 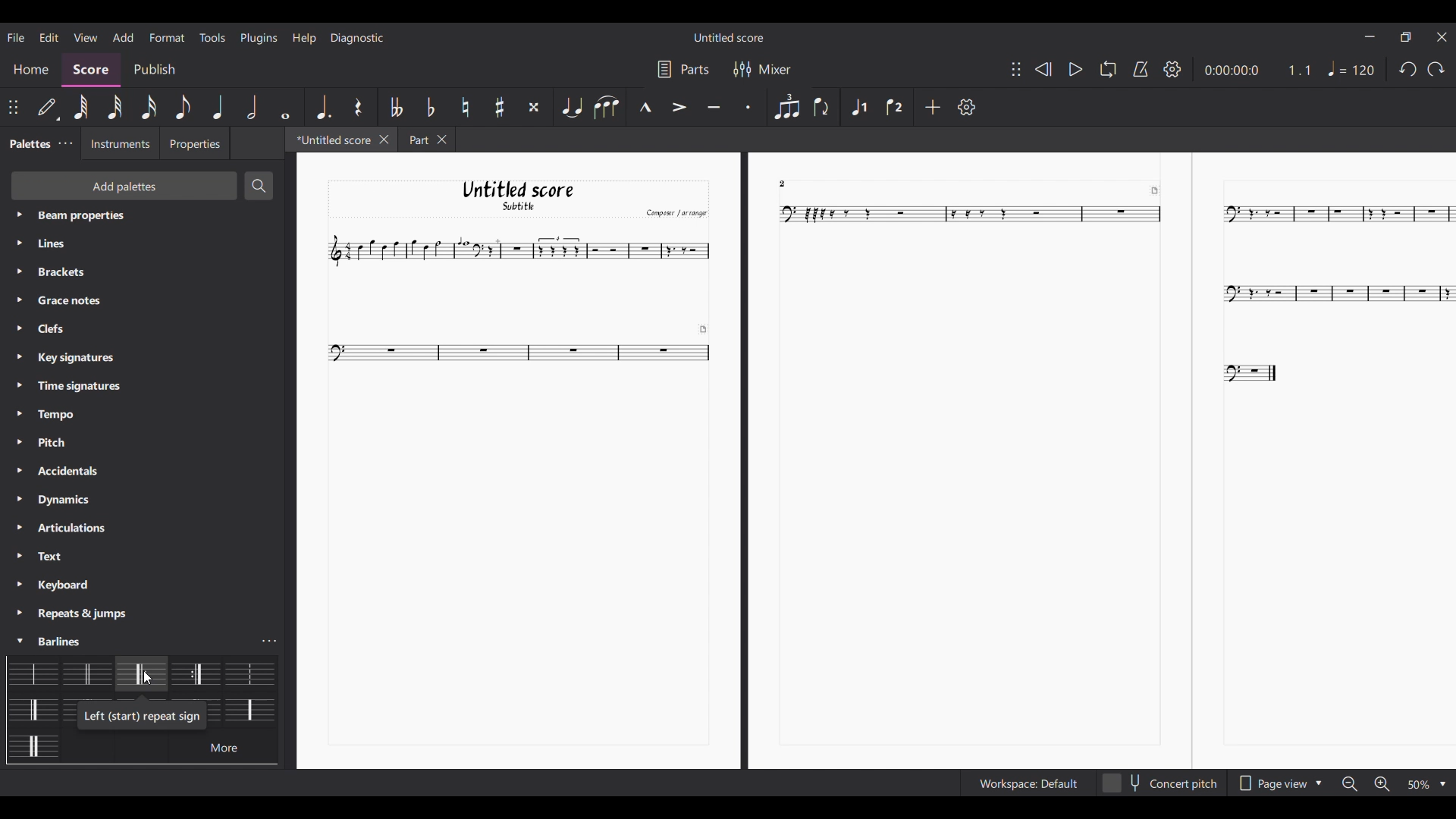 I want to click on Staccato, so click(x=748, y=108).